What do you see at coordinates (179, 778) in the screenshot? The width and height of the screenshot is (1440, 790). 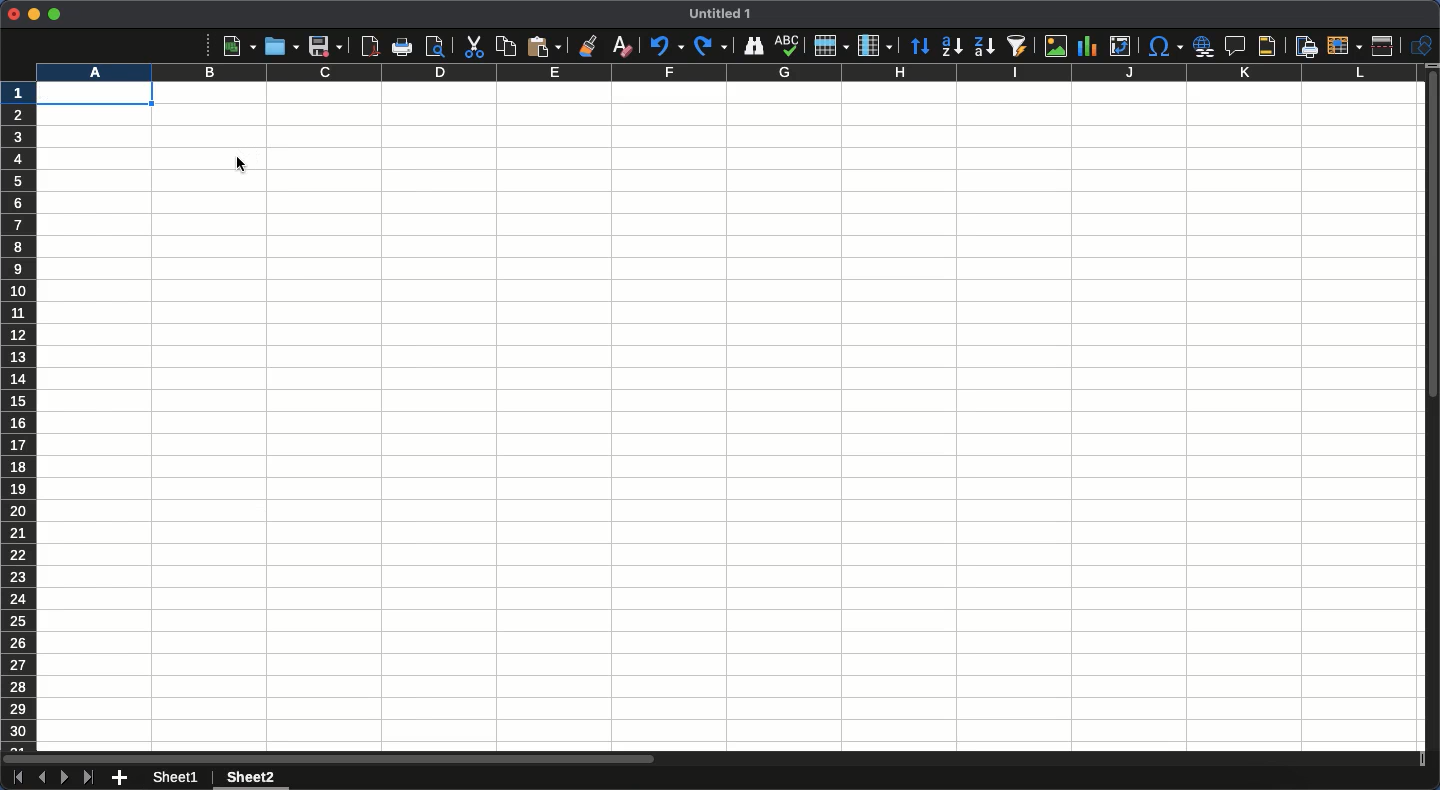 I see `Sheet 1` at bounding box center [179, 778].